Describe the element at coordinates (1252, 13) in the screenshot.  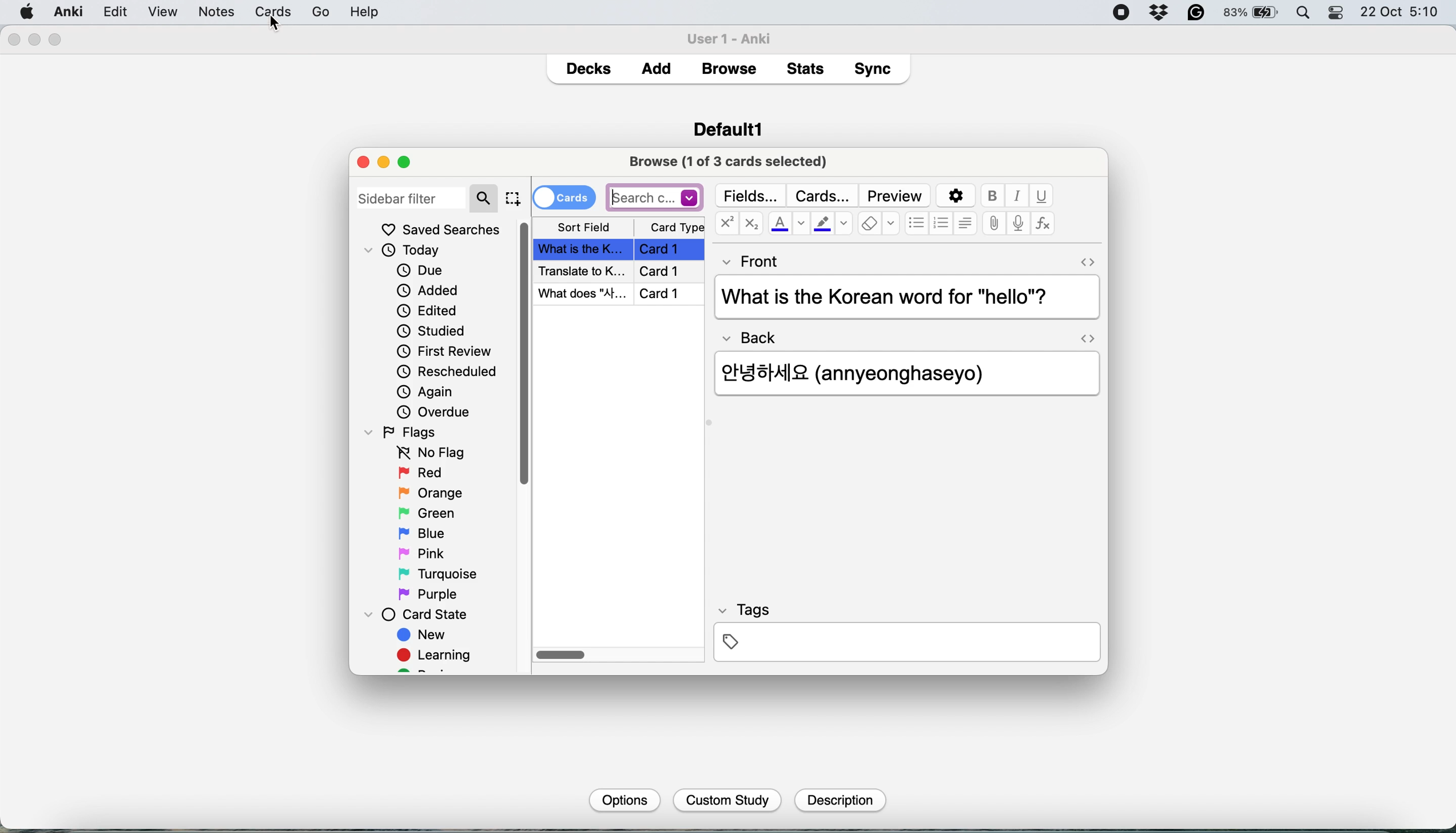
I see `battery` at that location.